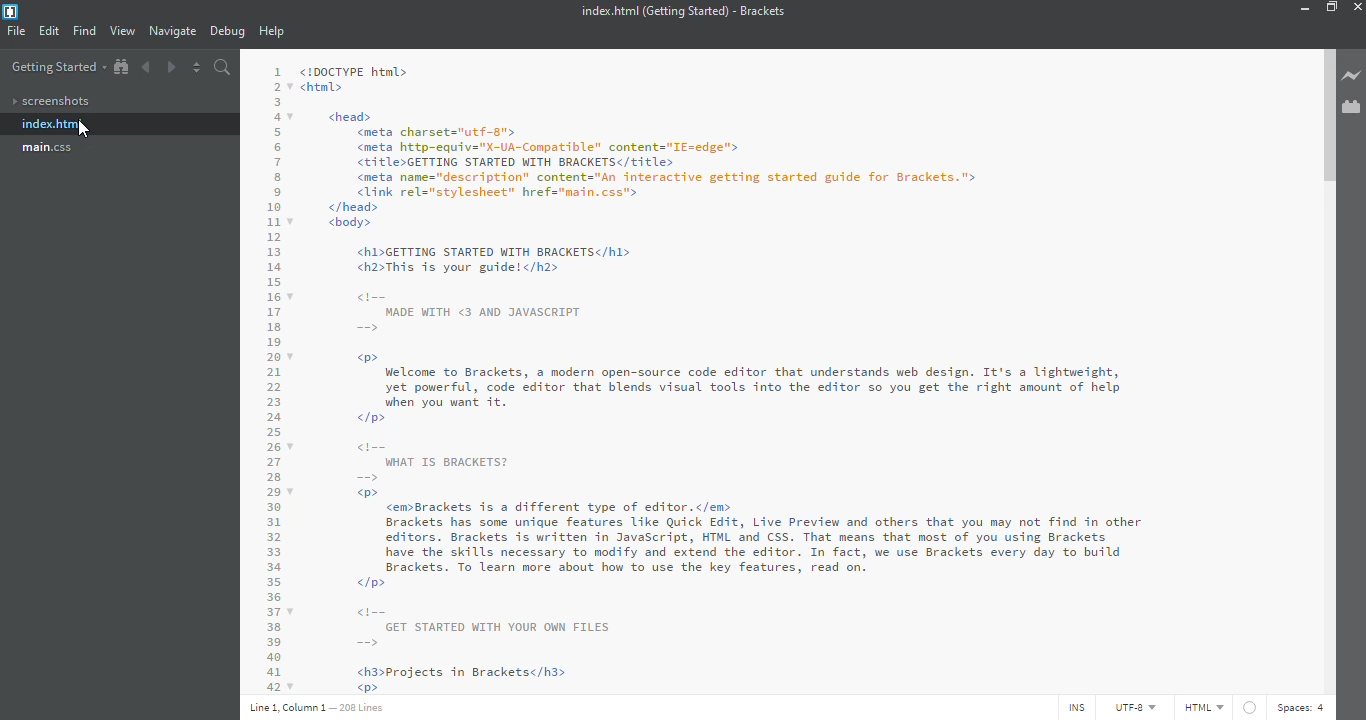  I want to click on new.html (Getting Started) - Brackets, so click(679, 11).